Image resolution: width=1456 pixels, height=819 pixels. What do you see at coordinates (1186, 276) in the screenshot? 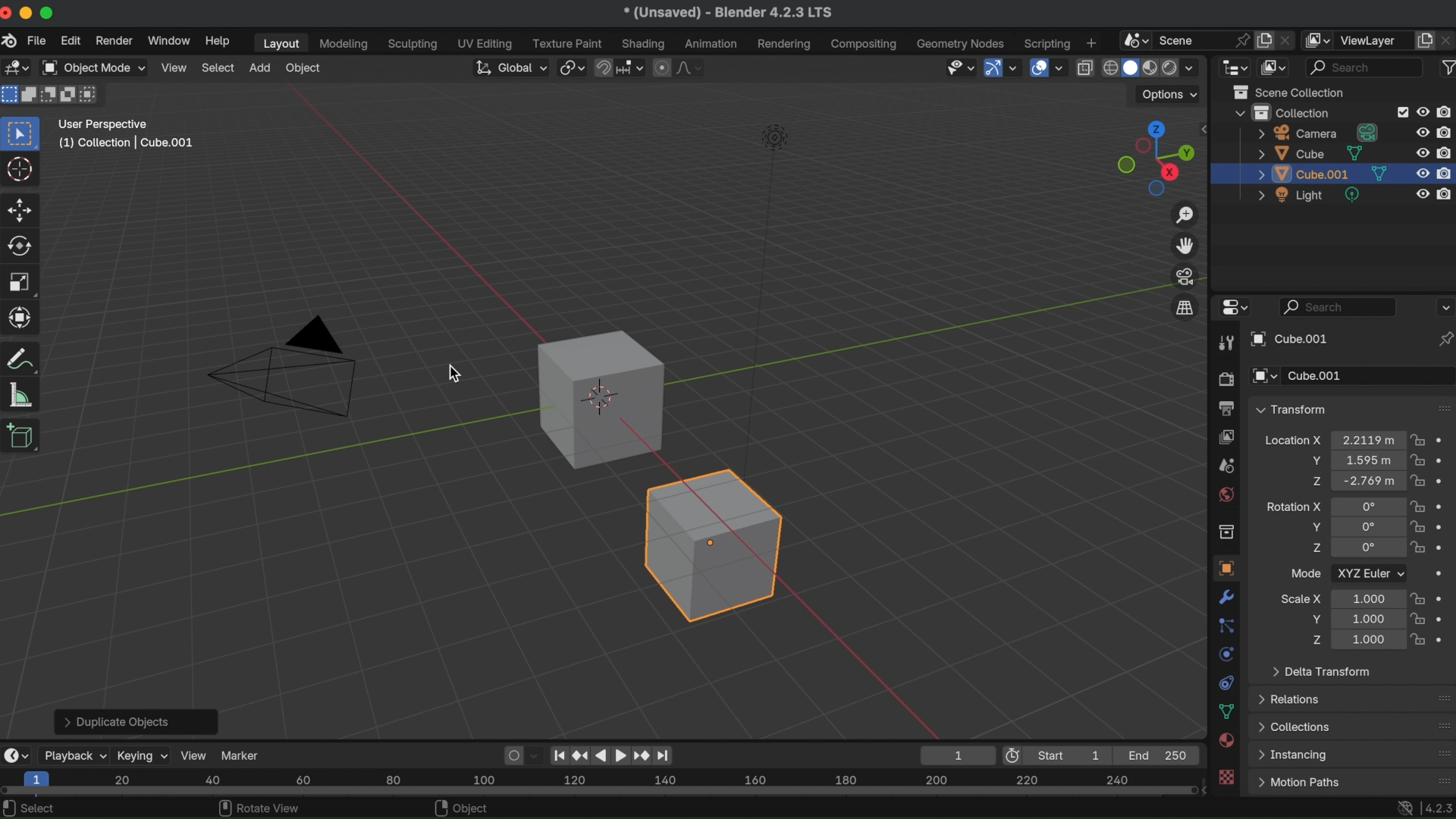
I see `toggle camera view` at bounding box center [1186, 276].